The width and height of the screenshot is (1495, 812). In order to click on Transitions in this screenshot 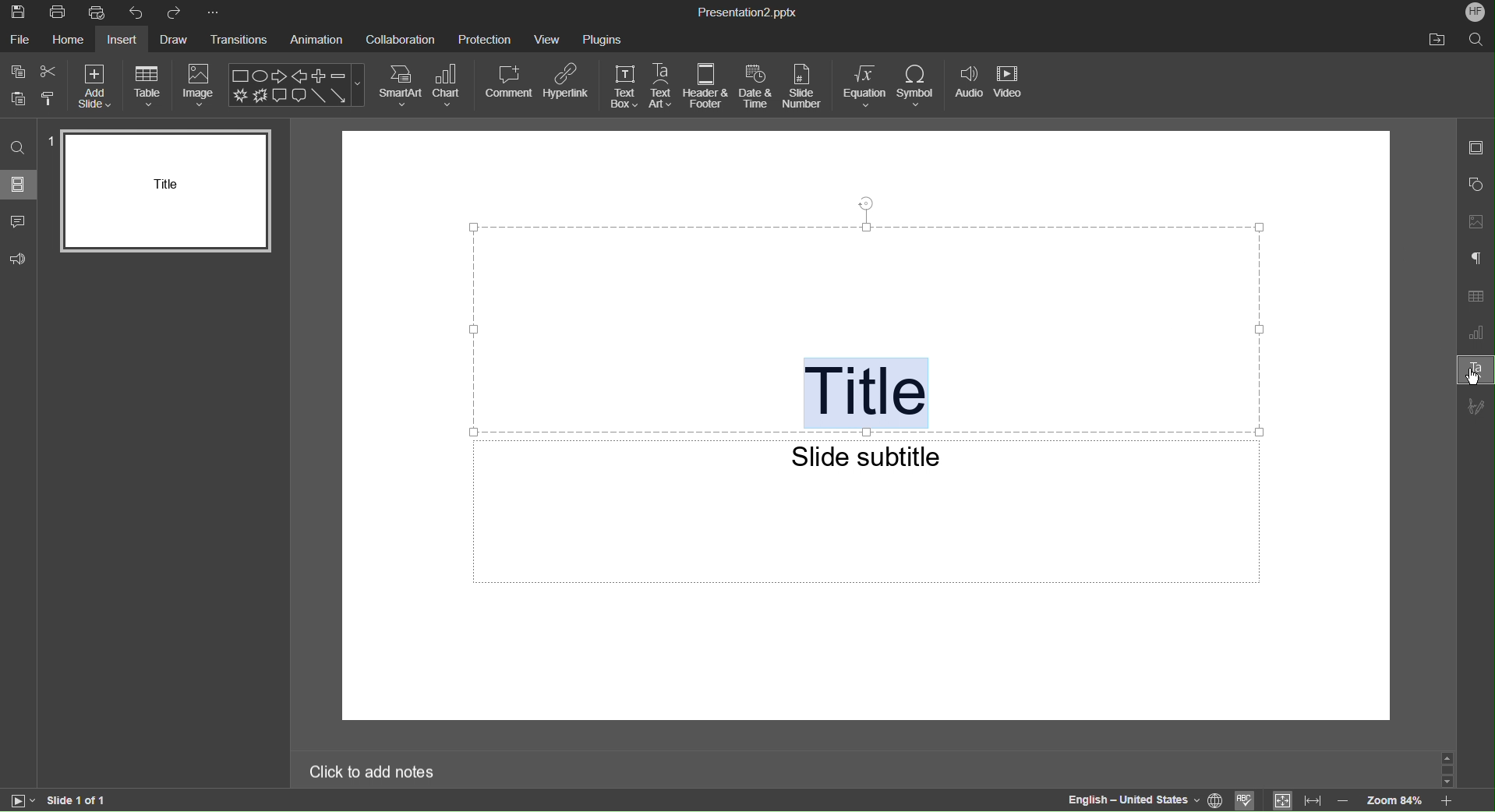, I will do `click(242, 40)`.